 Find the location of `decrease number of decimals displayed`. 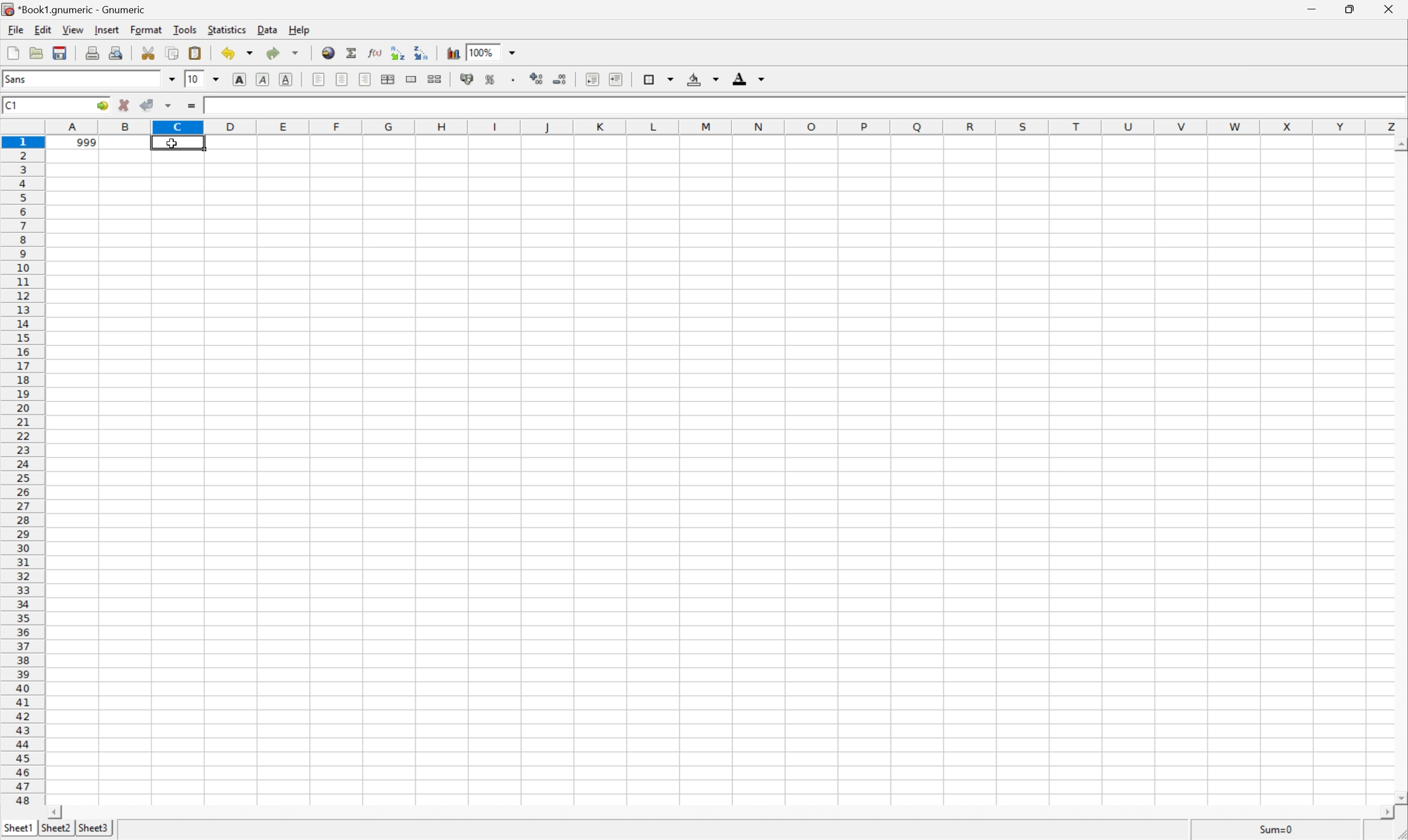

decrease number of decimals displayed is located at coordinates (560, 79).